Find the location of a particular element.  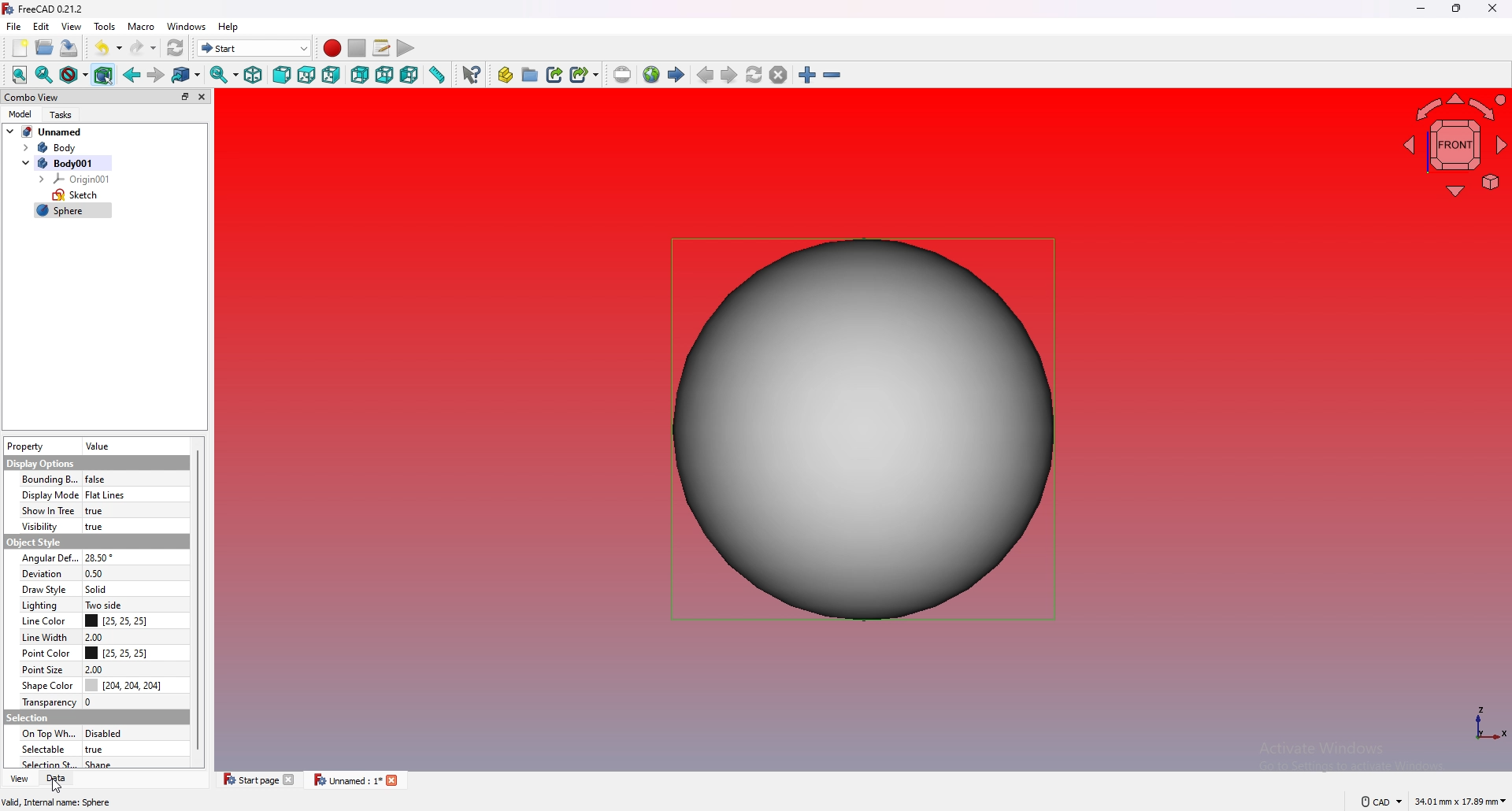

edit is located at coordinates (43, 26).